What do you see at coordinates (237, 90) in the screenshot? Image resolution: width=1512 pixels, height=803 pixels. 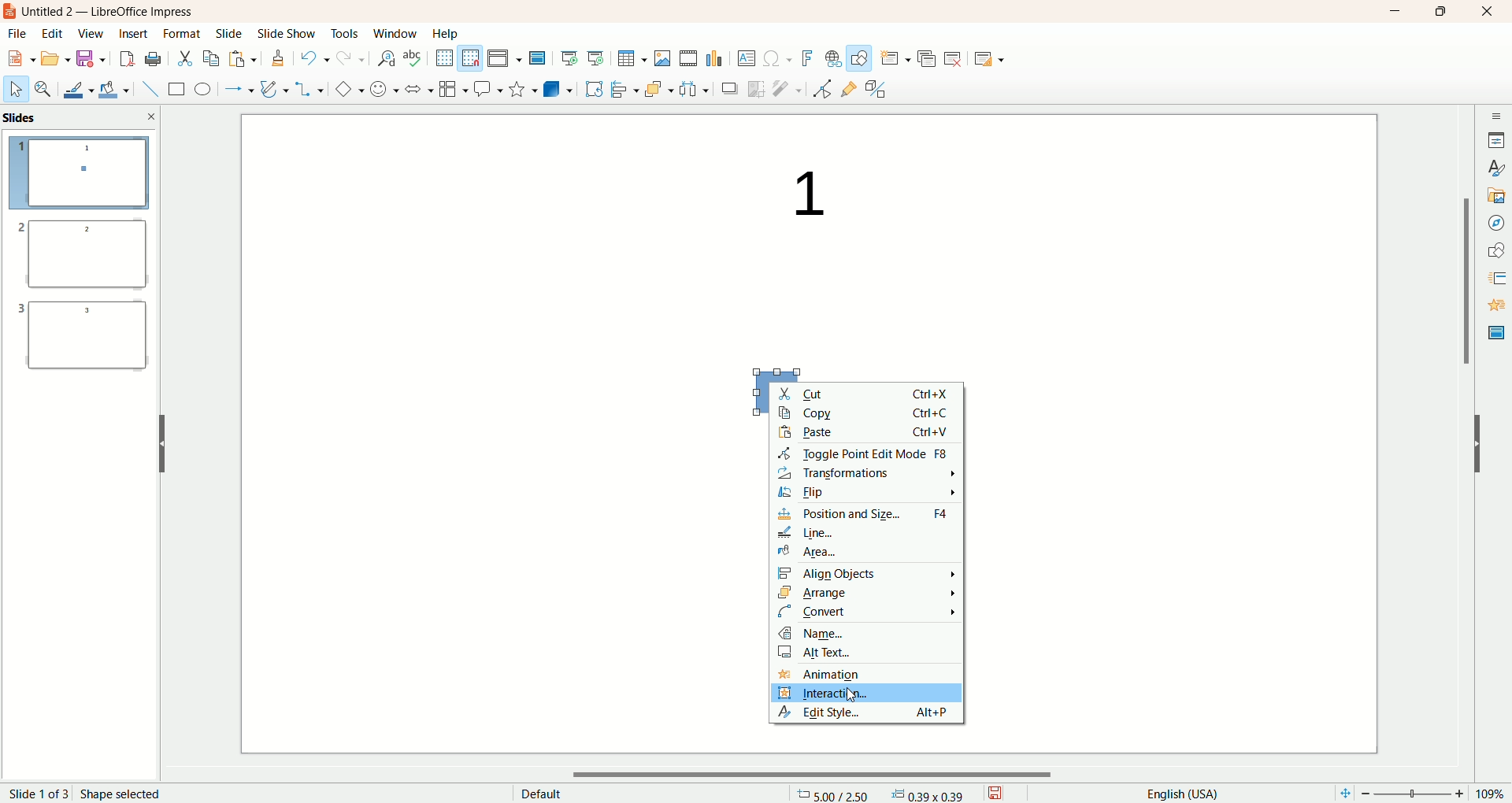 I see `line and arrow` at bounding box center [237, 90].